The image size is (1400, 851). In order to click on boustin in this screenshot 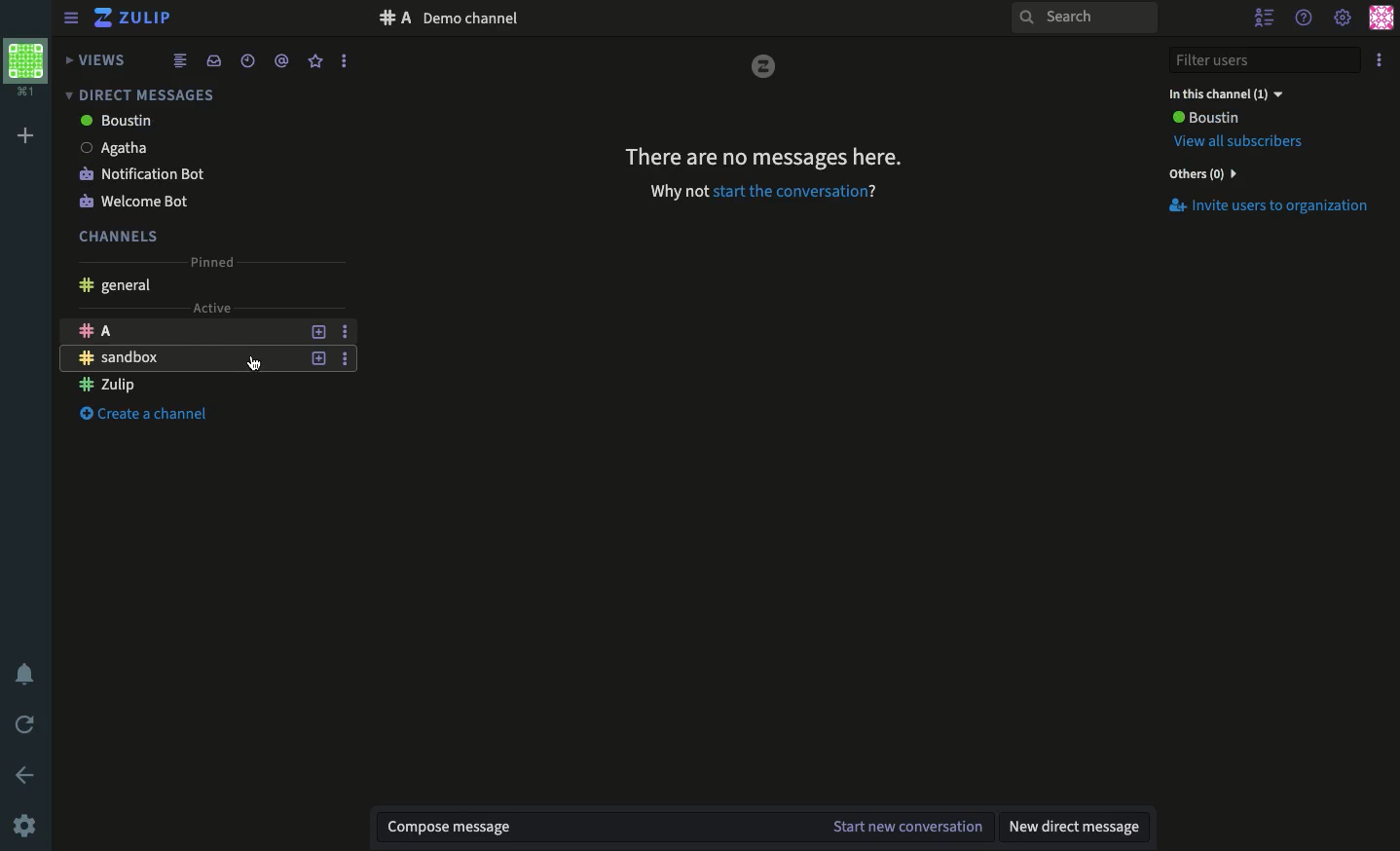, I will do `click(182, 122)`.